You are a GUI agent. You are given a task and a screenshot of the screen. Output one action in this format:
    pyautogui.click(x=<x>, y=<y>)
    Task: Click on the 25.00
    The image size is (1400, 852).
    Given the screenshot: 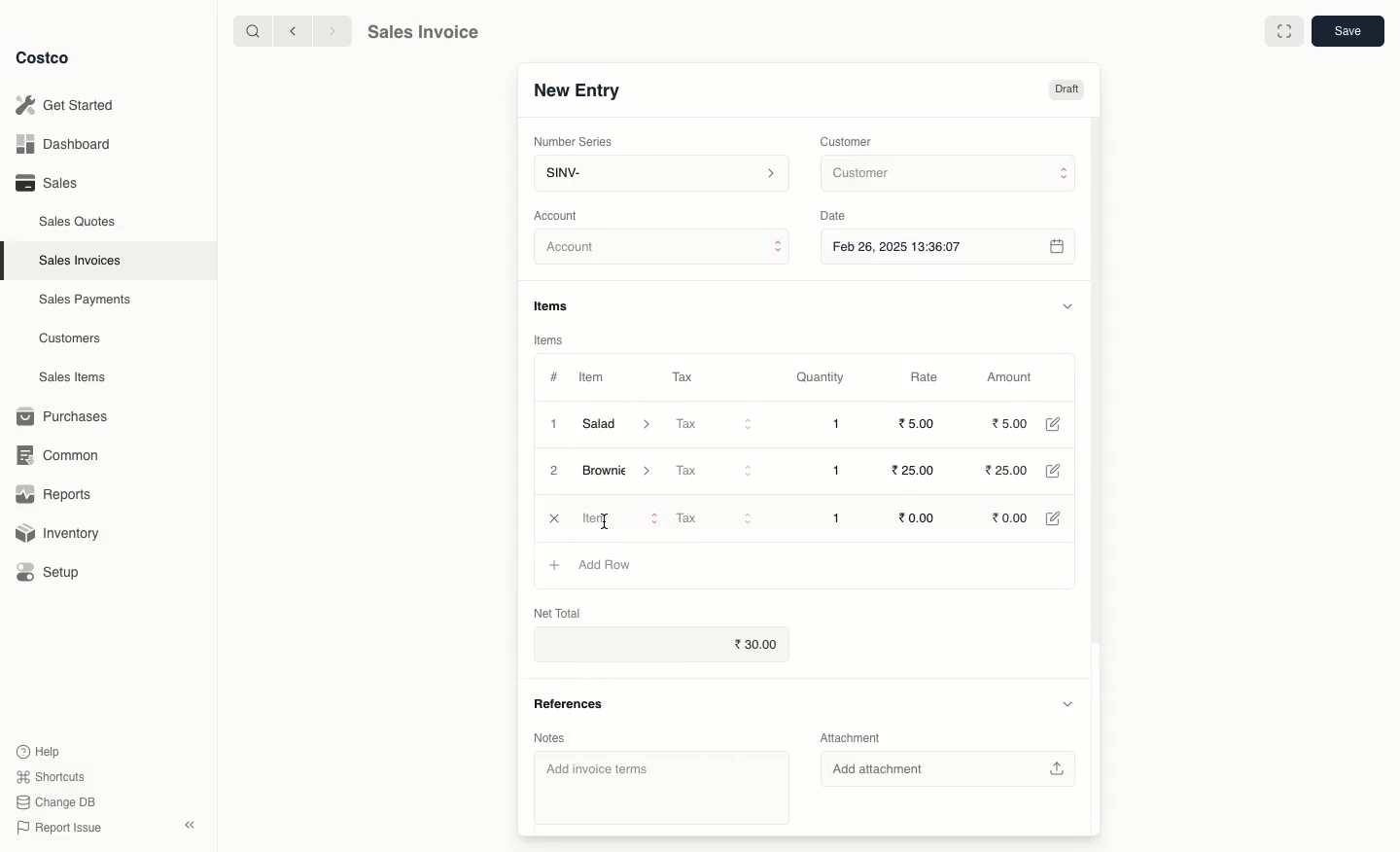 What is the action you would take?
    pyautogui.click(x=916, y=471)
    